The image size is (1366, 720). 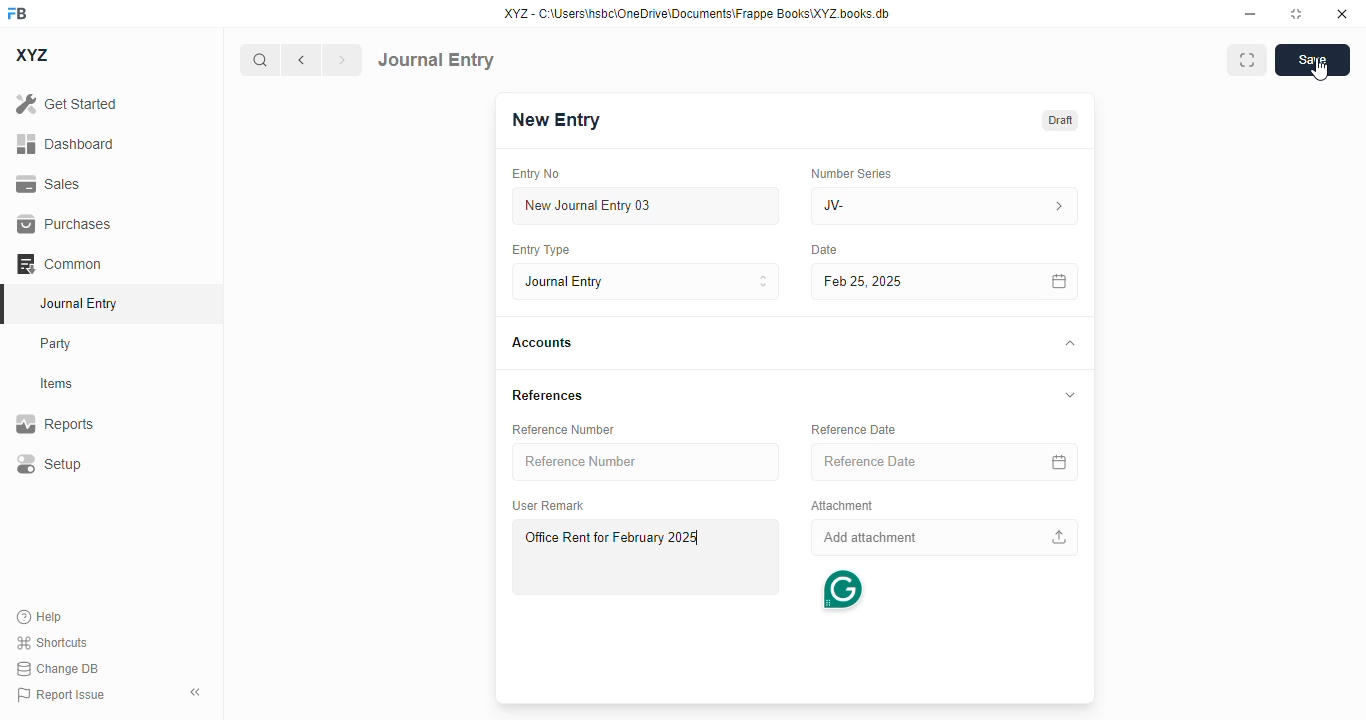 What do you see at coordinates (1062, 282) in the screenshot?
I see `calendar icon` at bounding box center [1062, 282].